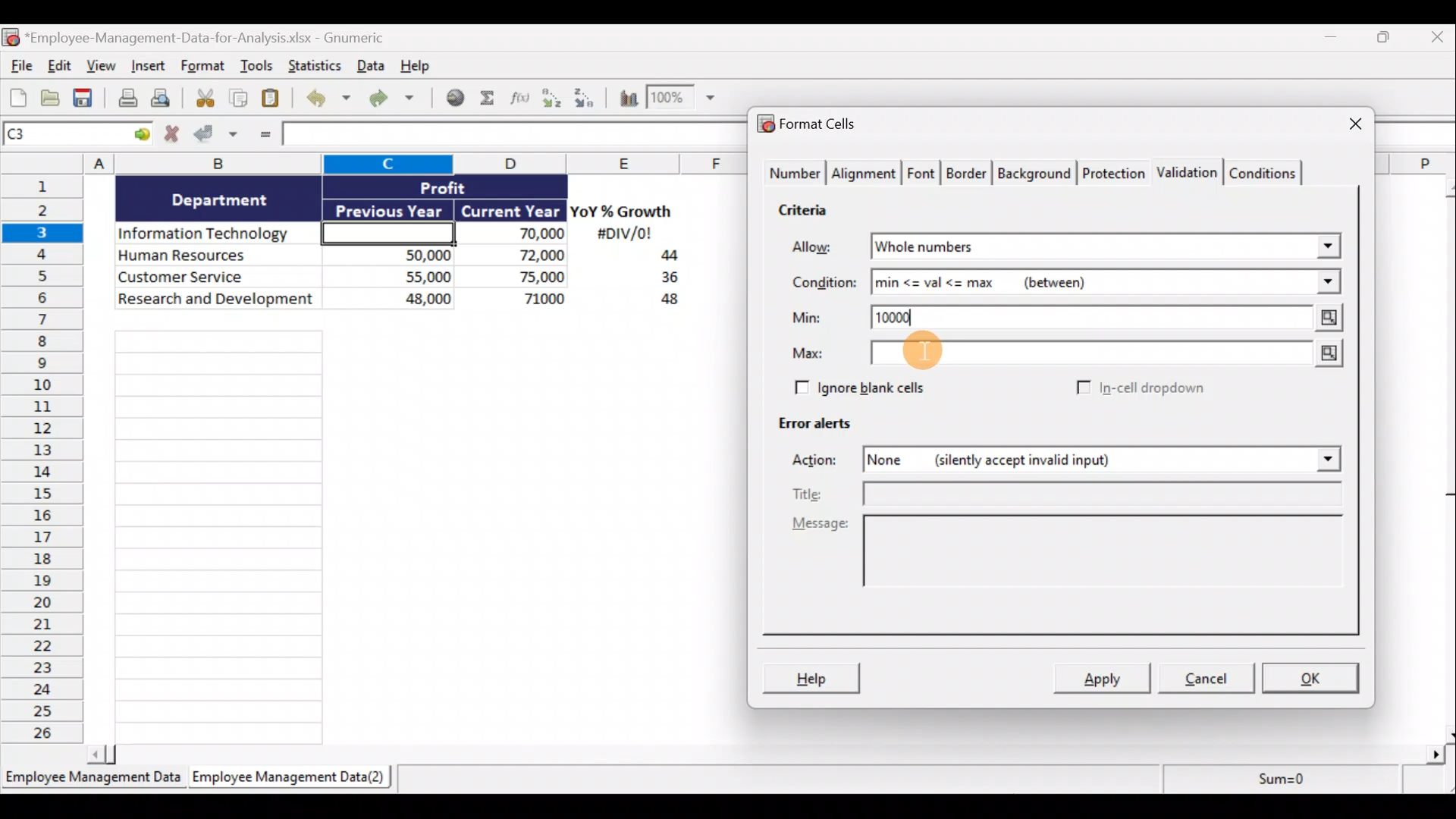 The image size is (1456, 819). What do you see at coordinates (10, 37) in the screenshot?
I see `Gnumeric logo` at bounding box center [10, 37].